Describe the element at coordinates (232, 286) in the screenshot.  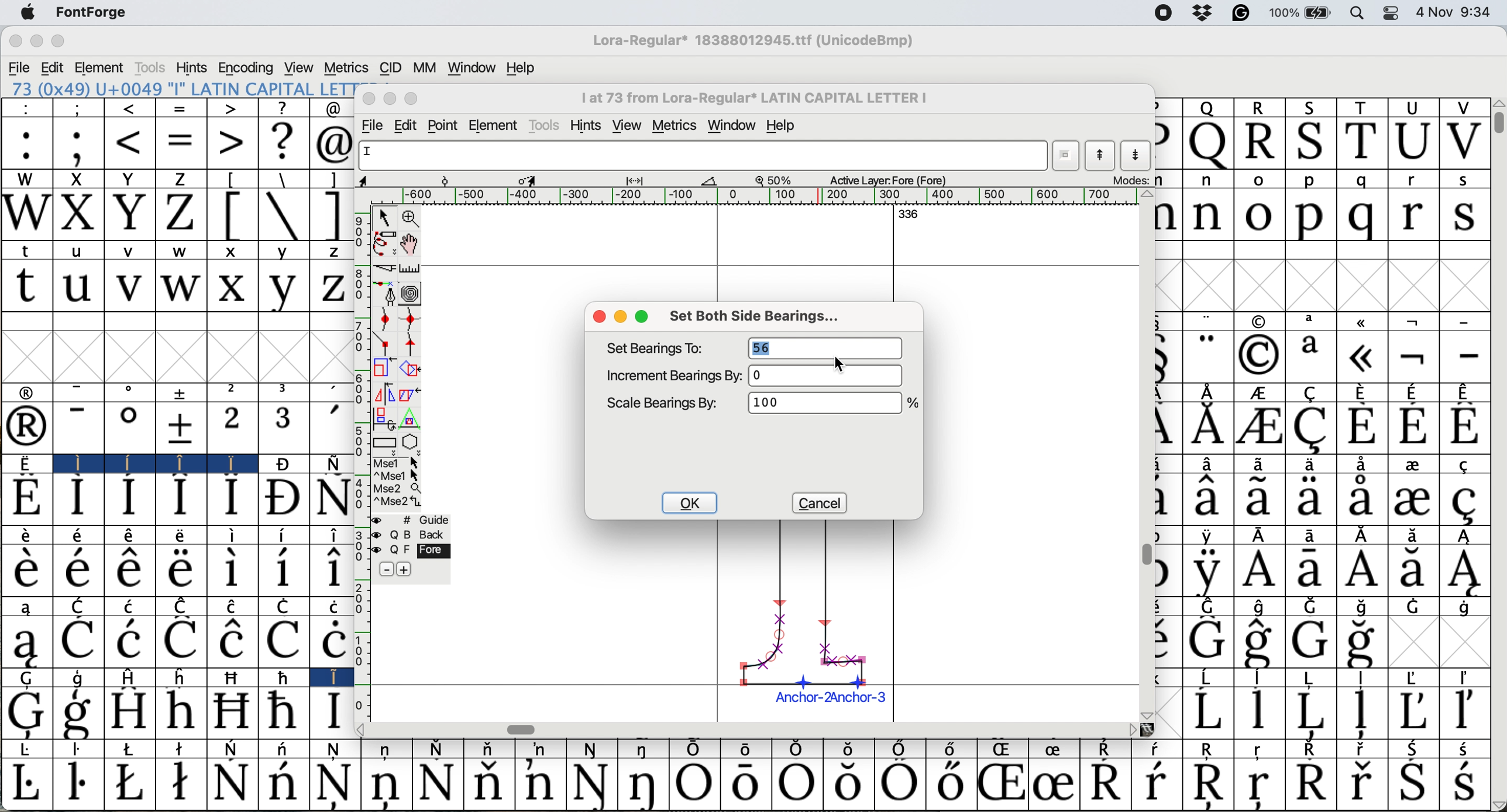
I see `x` at that location.